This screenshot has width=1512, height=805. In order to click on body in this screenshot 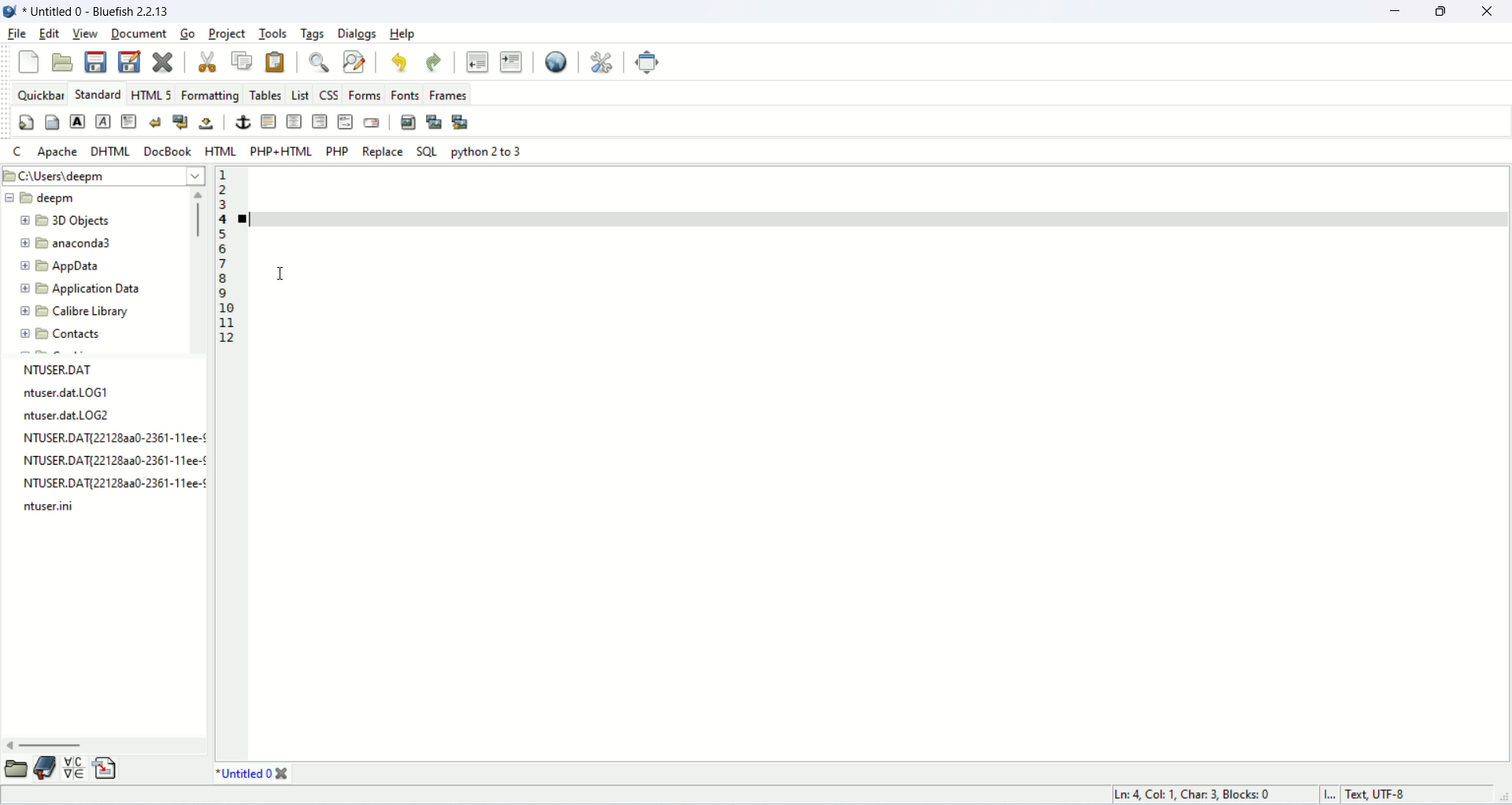, I will do `click(51, 123)`.